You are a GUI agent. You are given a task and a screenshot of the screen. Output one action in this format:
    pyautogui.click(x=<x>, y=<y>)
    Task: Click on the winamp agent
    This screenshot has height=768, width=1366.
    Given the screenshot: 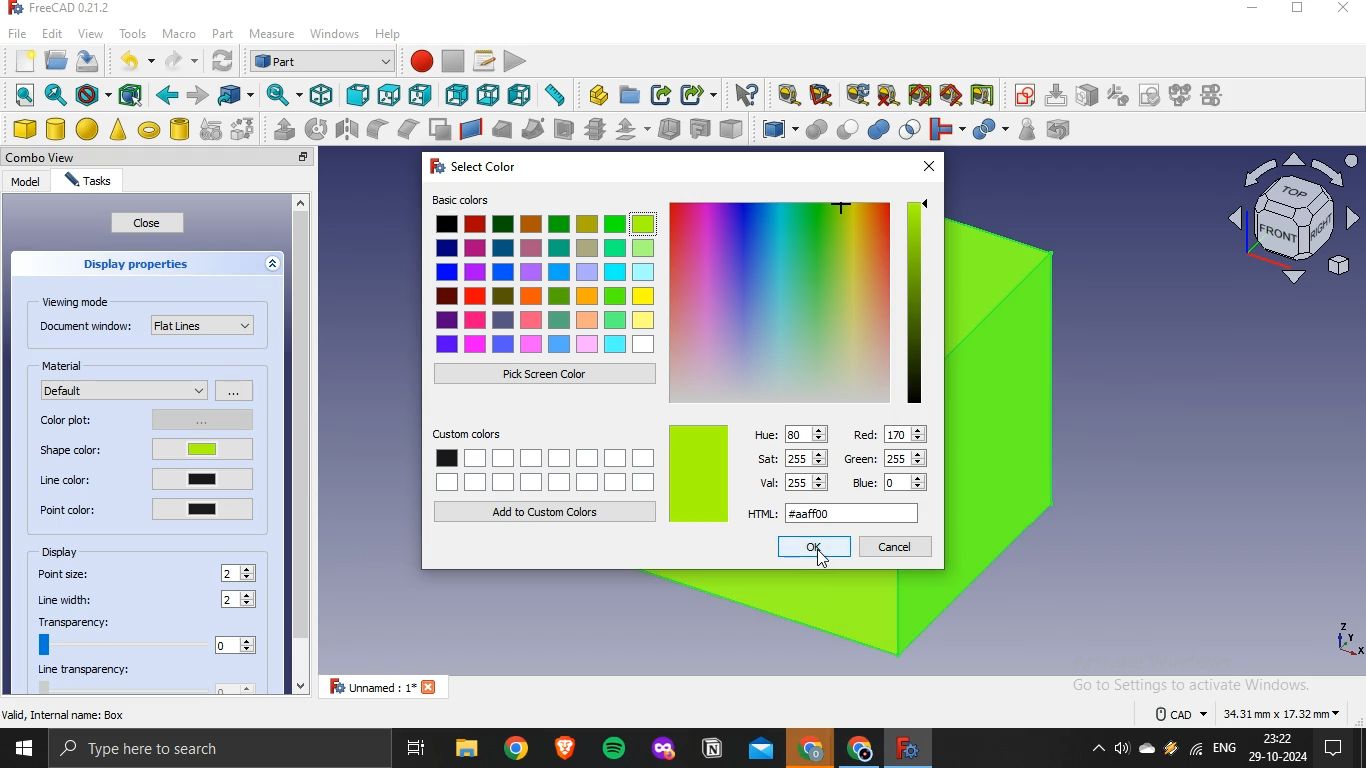 What is the action you would take?
    pyautogui.click(x=1171, y=749)
    